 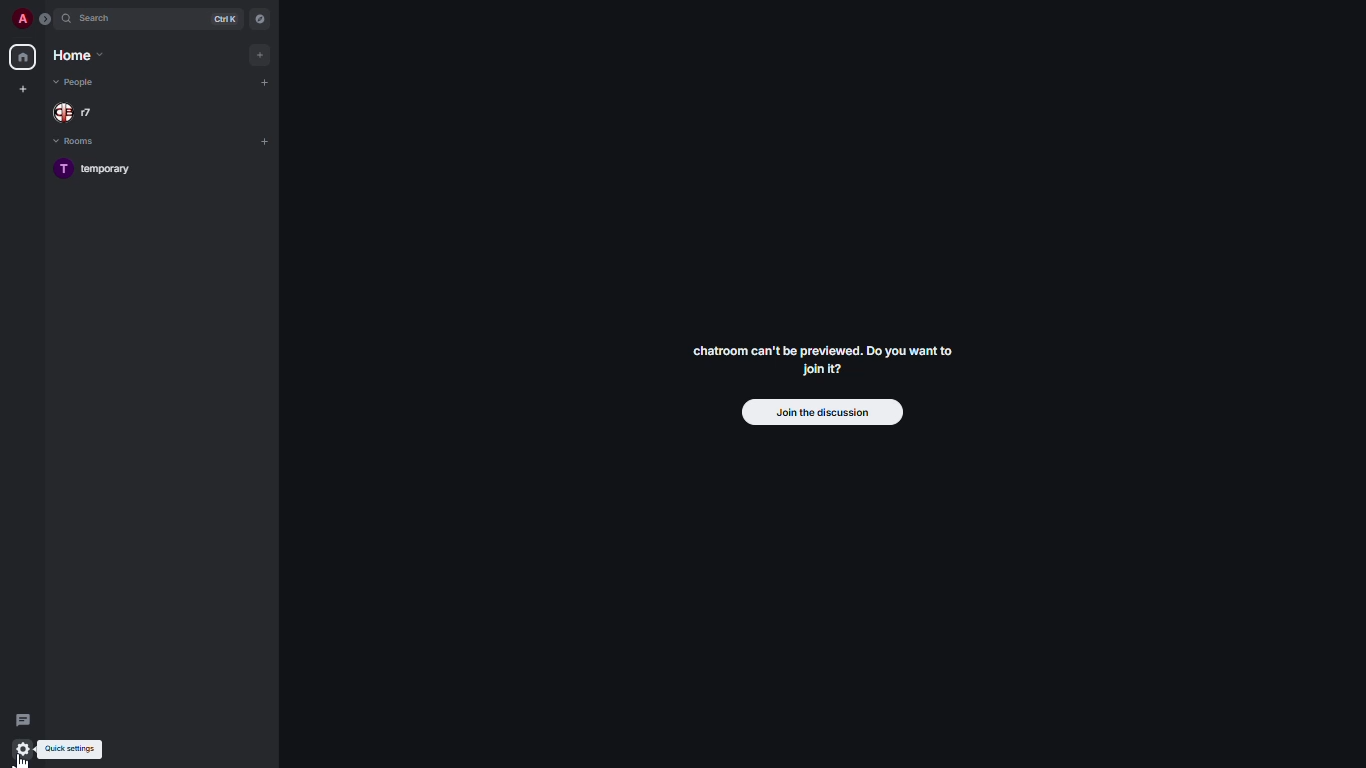 What do you see at coordinates (24, 749) in the screenshot?
I see `quick settings` at bounding box center [24, 749].